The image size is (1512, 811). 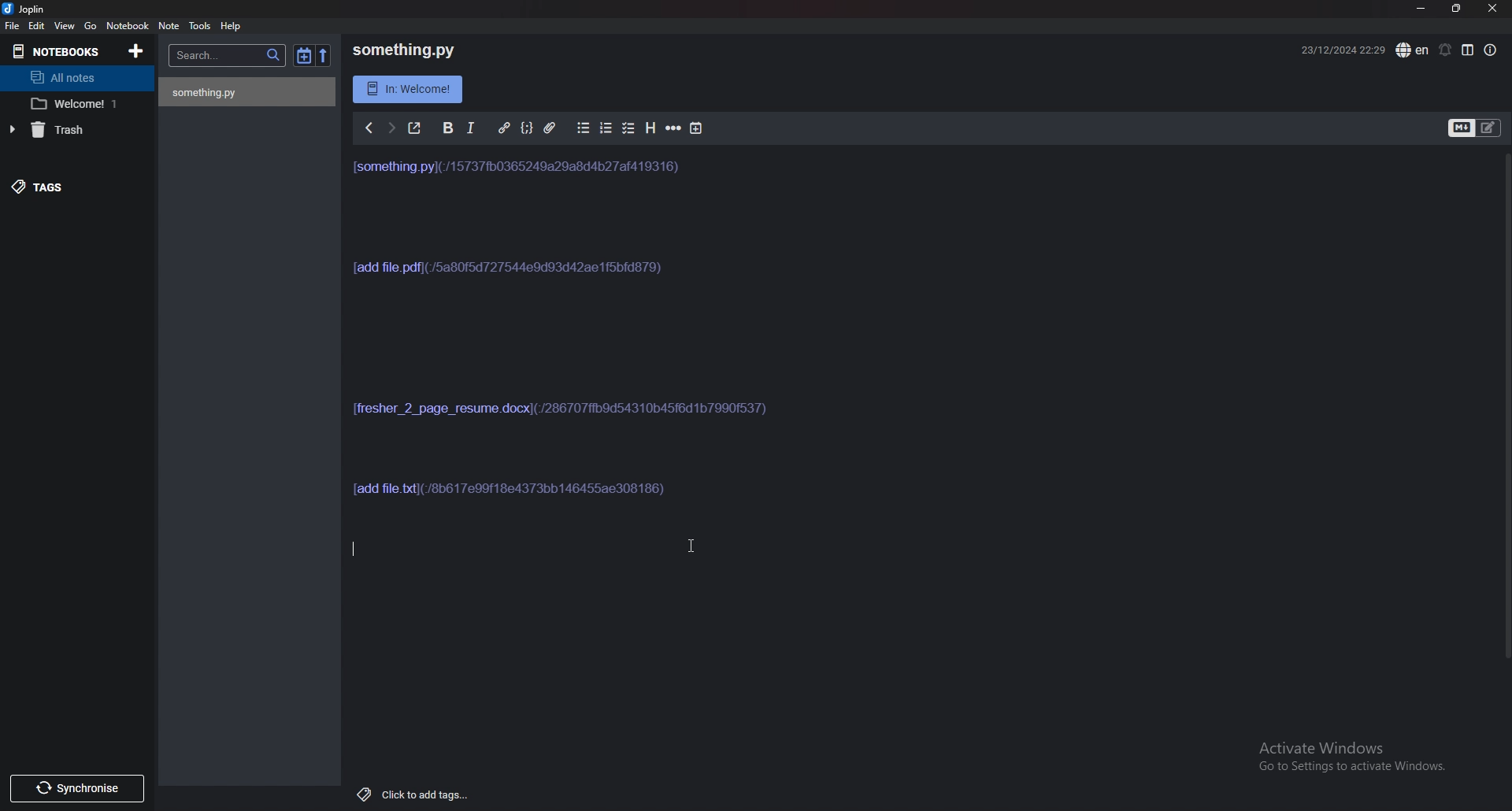 What do you see at coordinates (606, 128) in the screenshot?
I see `Number list` at bounding box center [606, 128].